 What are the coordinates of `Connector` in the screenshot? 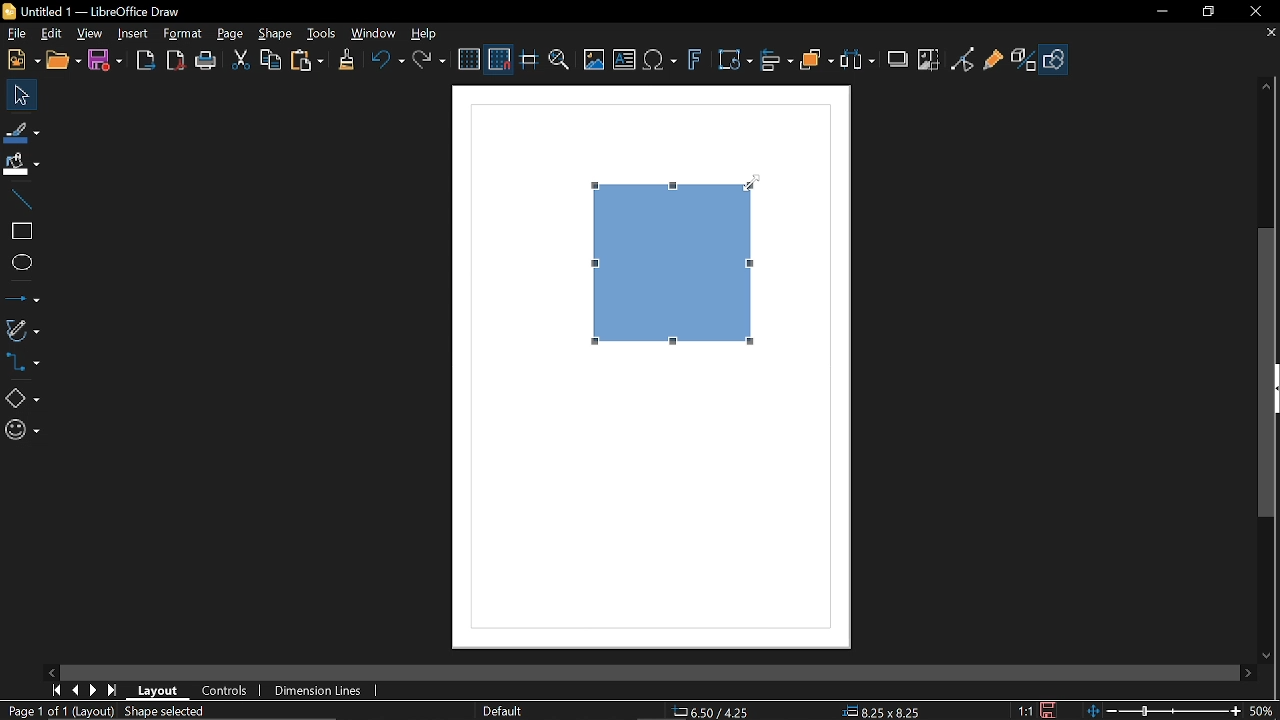 It's located at (26, 365).